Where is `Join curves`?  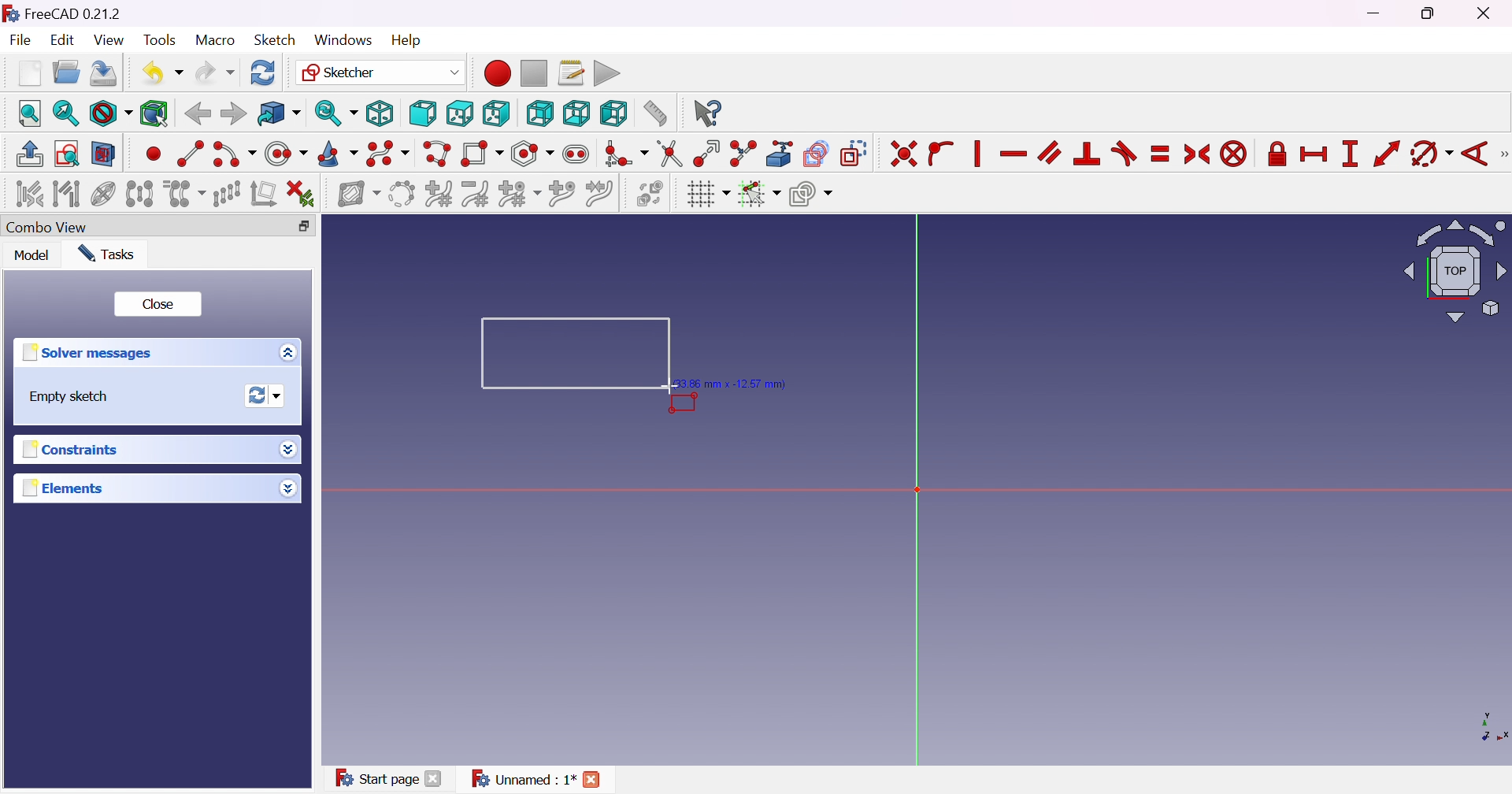 Join curves is located at coordinates (598, 194).